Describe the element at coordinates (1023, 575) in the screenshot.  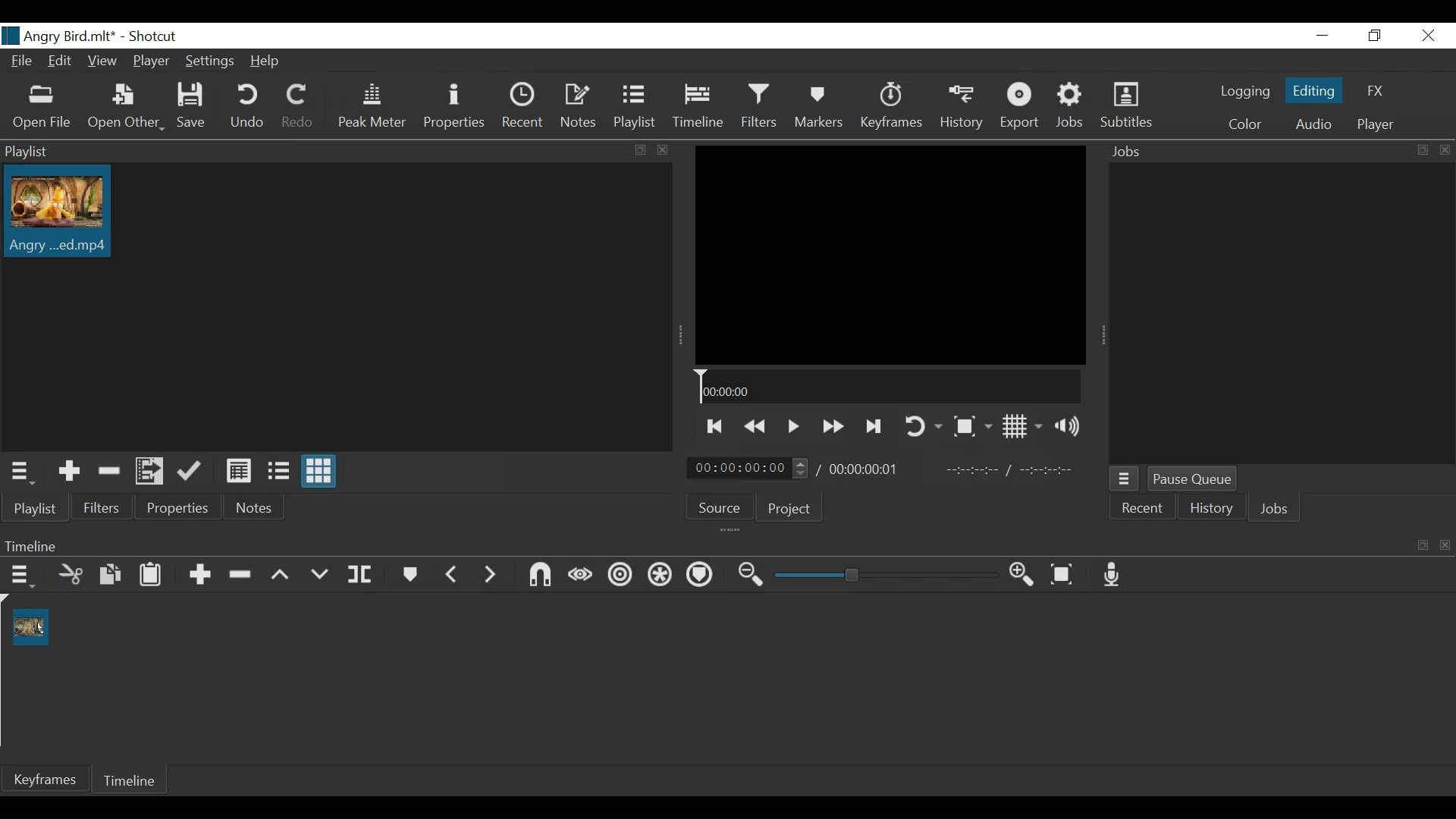
I see `zoom timeline out` at that location.